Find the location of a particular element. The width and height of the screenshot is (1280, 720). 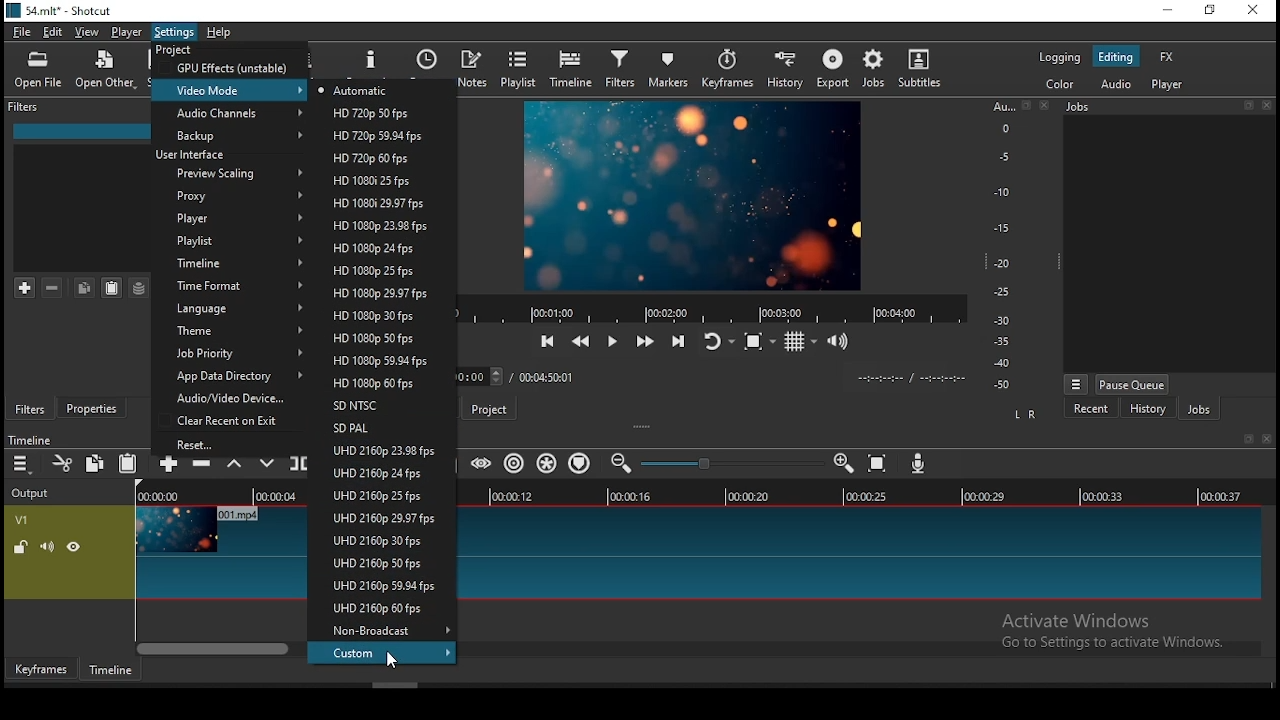

cut is located at coordinates (63, 463).